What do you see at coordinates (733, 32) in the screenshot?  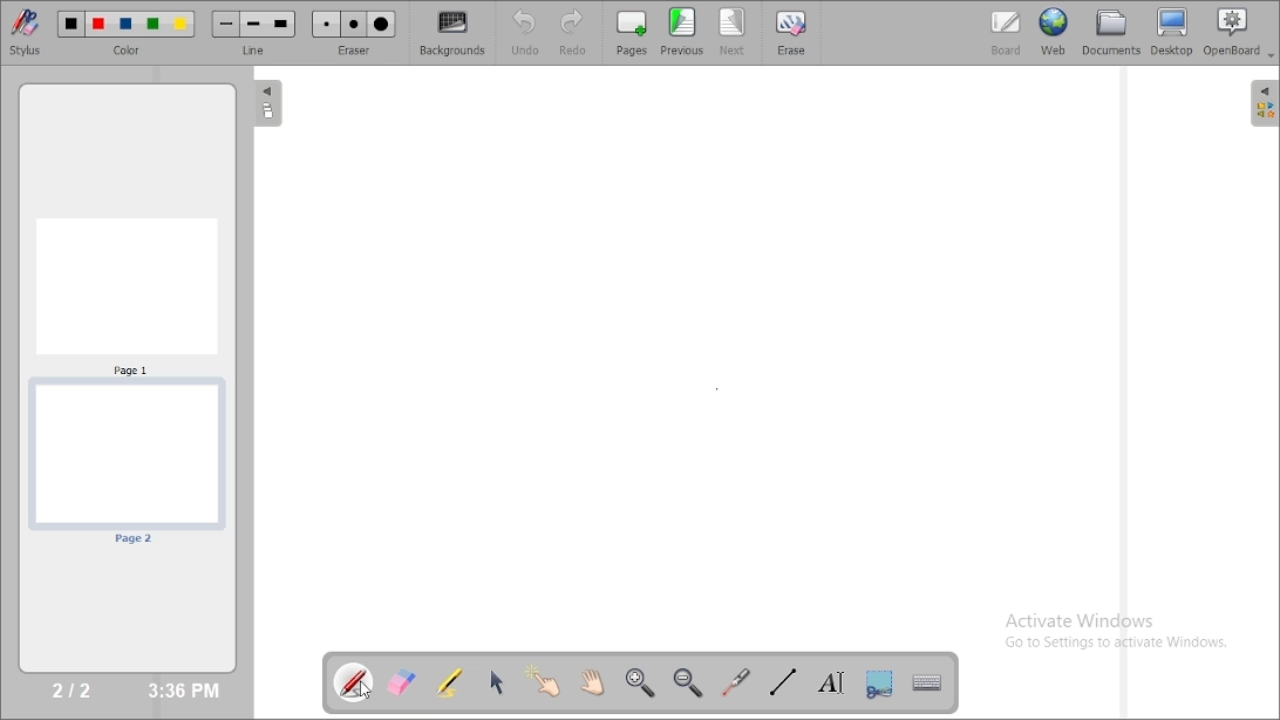 I see `next` at bounding box center [733, 32].